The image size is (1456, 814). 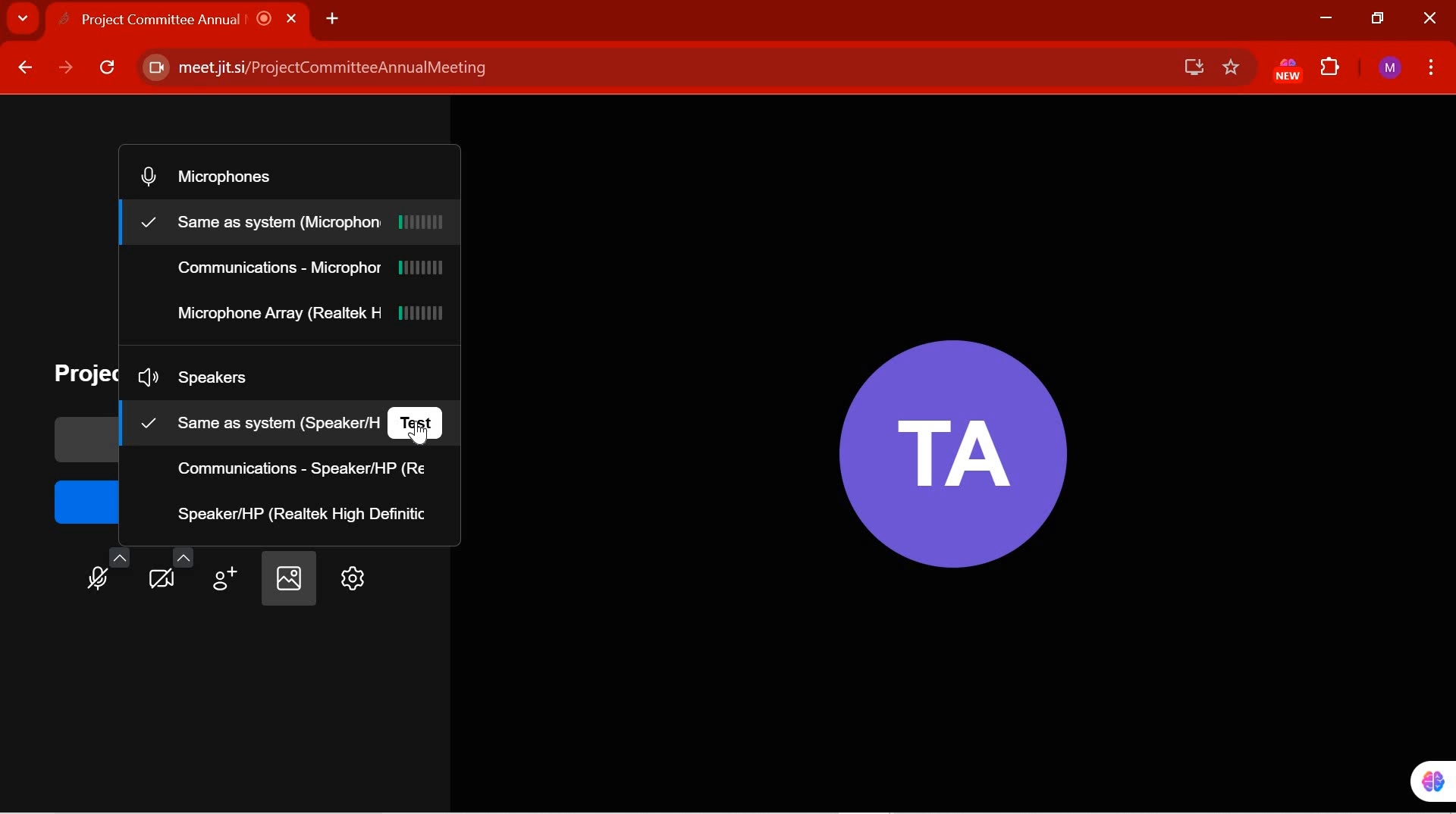 I want to click on RELOAD, so click(x=108, y=70).